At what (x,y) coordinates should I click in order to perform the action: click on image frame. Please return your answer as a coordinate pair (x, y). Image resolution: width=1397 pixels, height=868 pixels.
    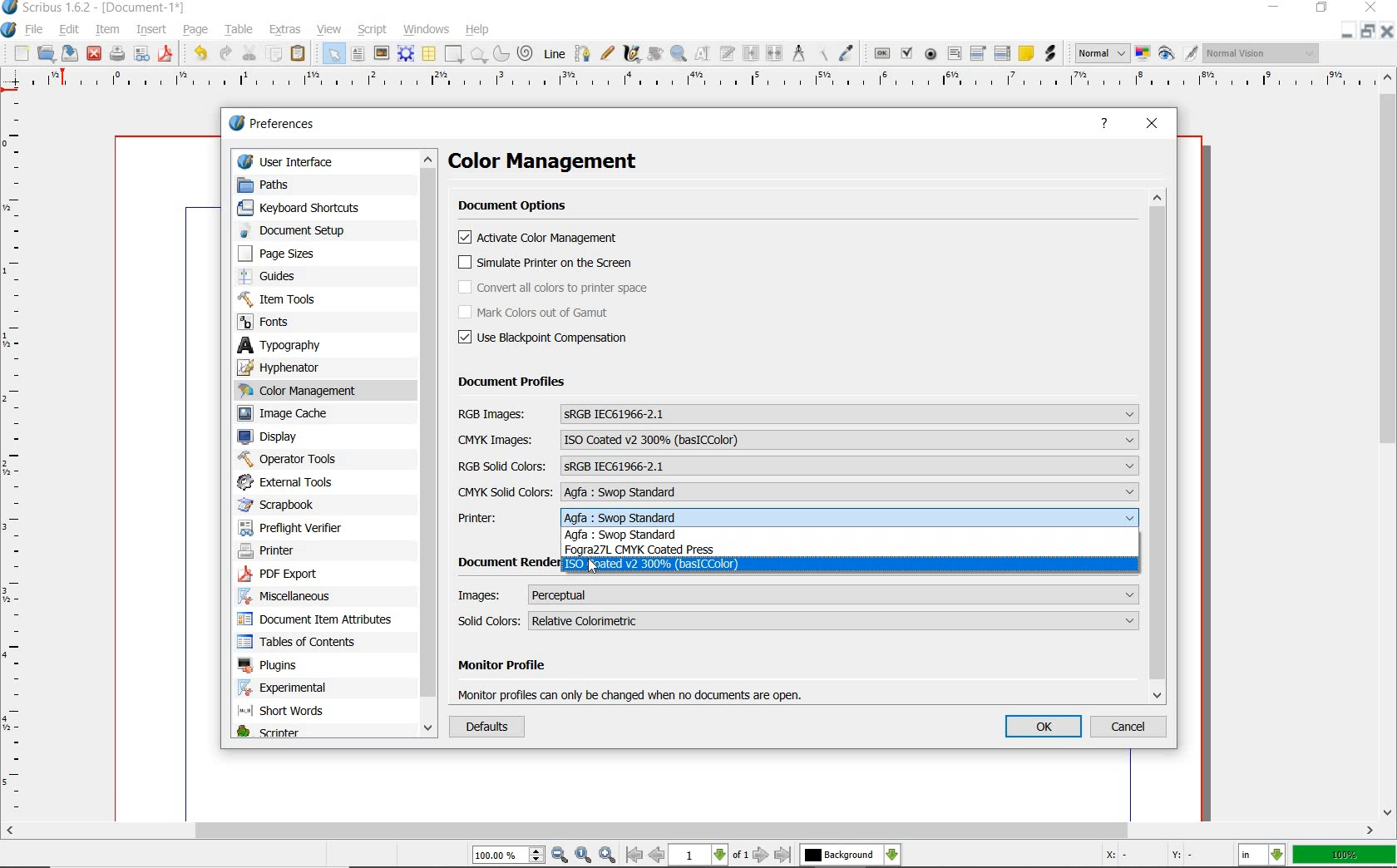
    Looking at the image, I should click on (380, 52).